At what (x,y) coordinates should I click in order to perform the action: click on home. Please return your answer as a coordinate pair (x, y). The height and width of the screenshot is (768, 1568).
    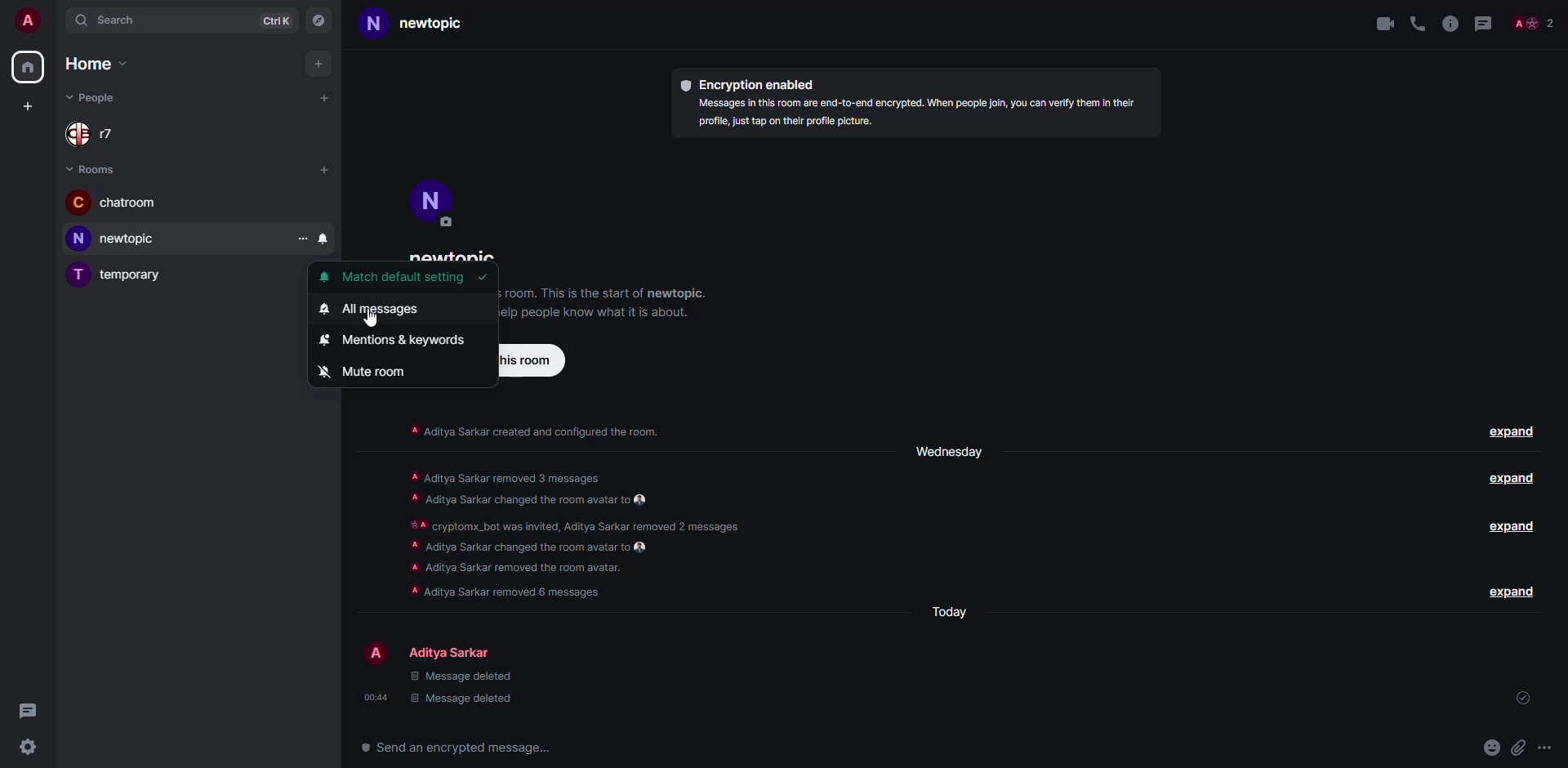
    Looking at the image, I should click on (29, 67).